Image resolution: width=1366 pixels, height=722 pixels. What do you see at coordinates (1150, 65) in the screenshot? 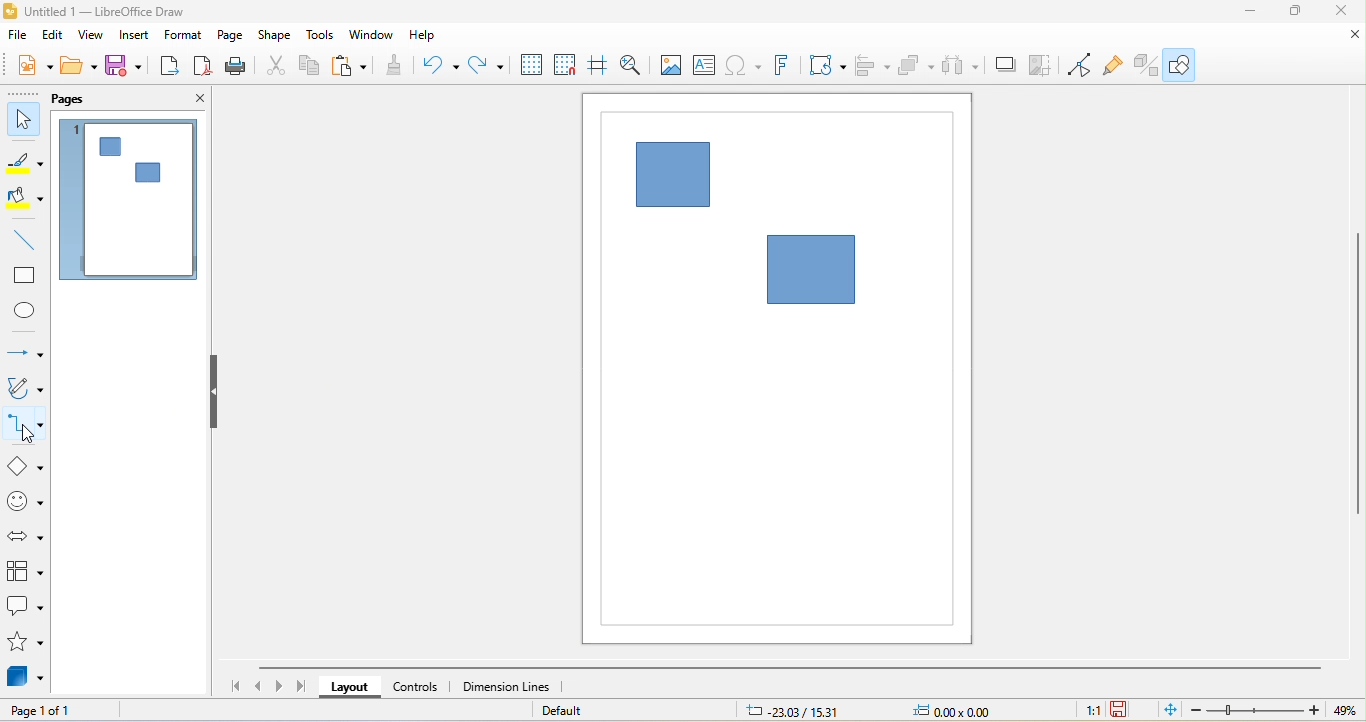
I see `extrusion` at bounding box center [1150, 65].